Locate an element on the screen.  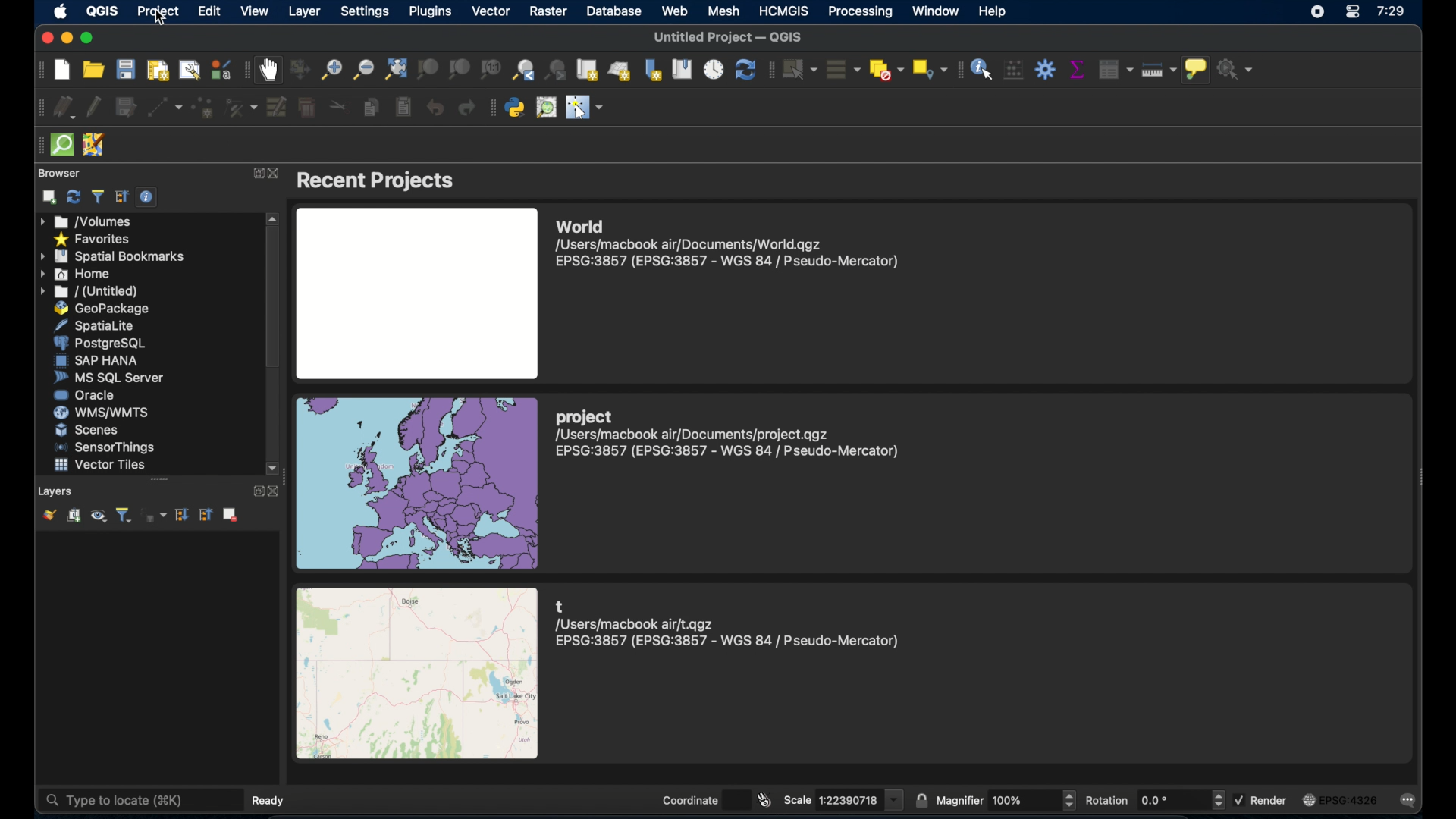
scale is located at coordinates (799, 799).